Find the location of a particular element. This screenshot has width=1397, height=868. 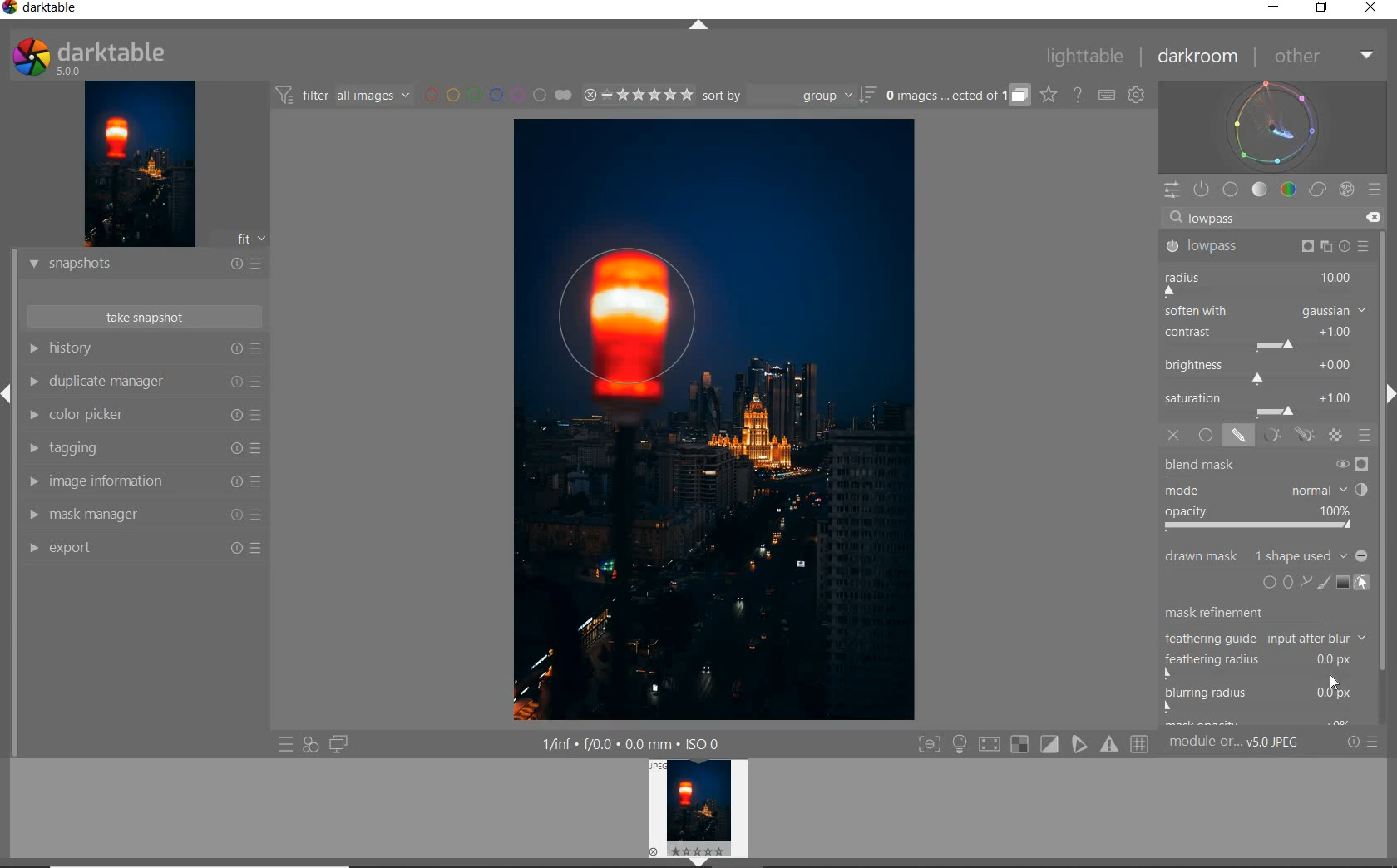

Searchbar is located at coordinates (1259, 217).